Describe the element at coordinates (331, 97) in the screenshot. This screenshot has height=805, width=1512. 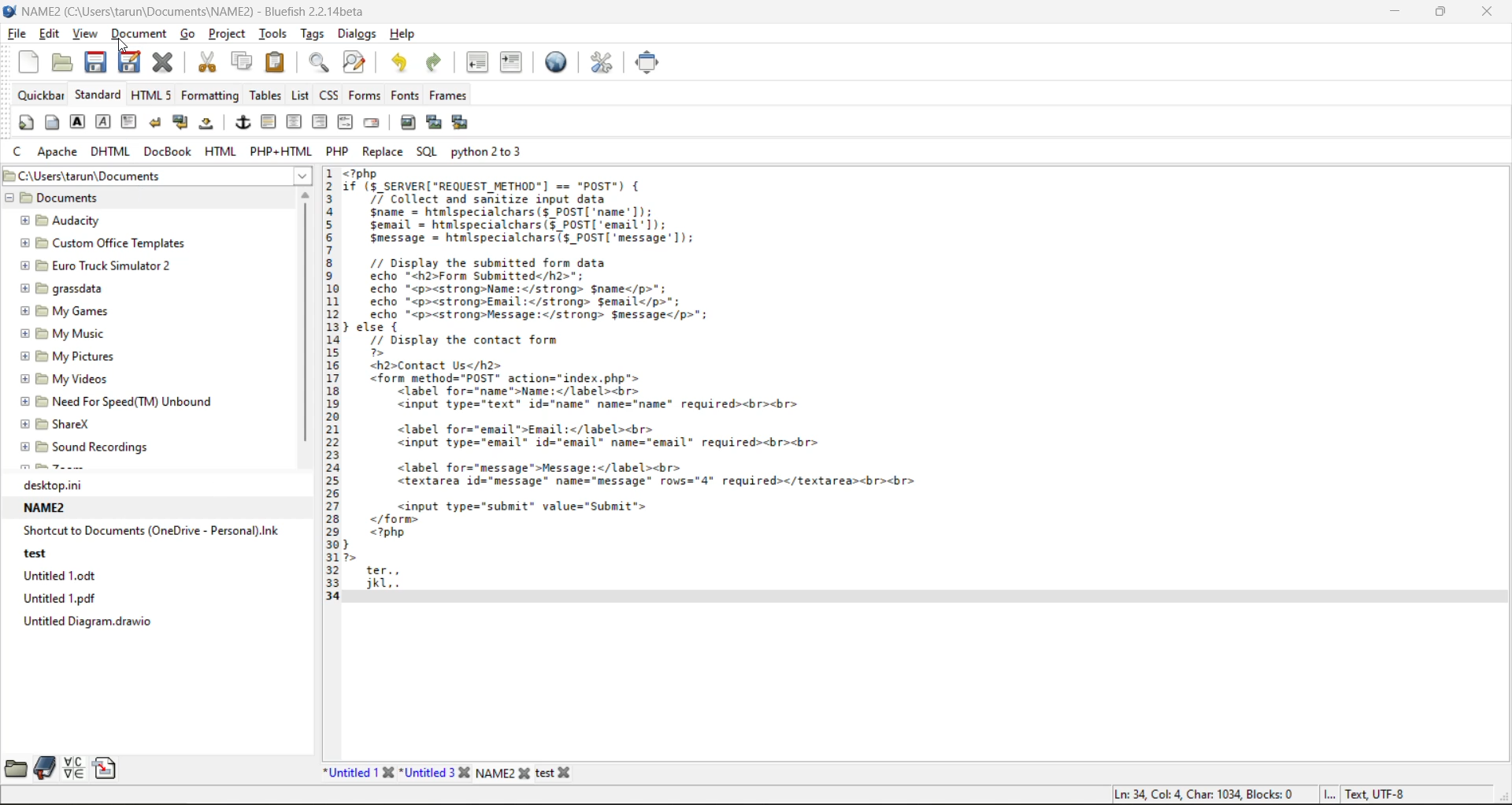
I see `css` at that location.